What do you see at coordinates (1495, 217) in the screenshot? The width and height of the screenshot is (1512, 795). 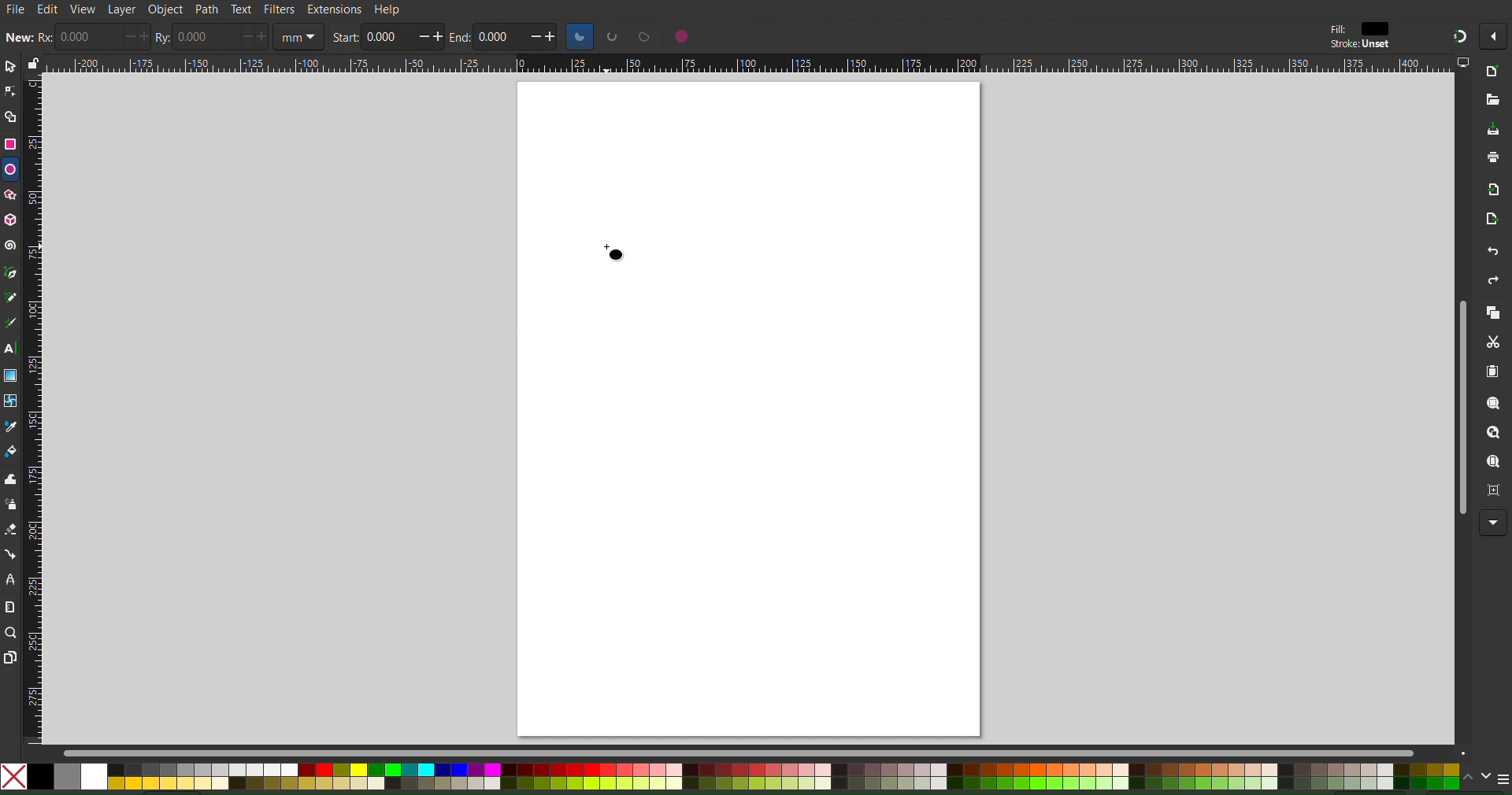 I see `Open Export` at bounding box center [1495, 217].